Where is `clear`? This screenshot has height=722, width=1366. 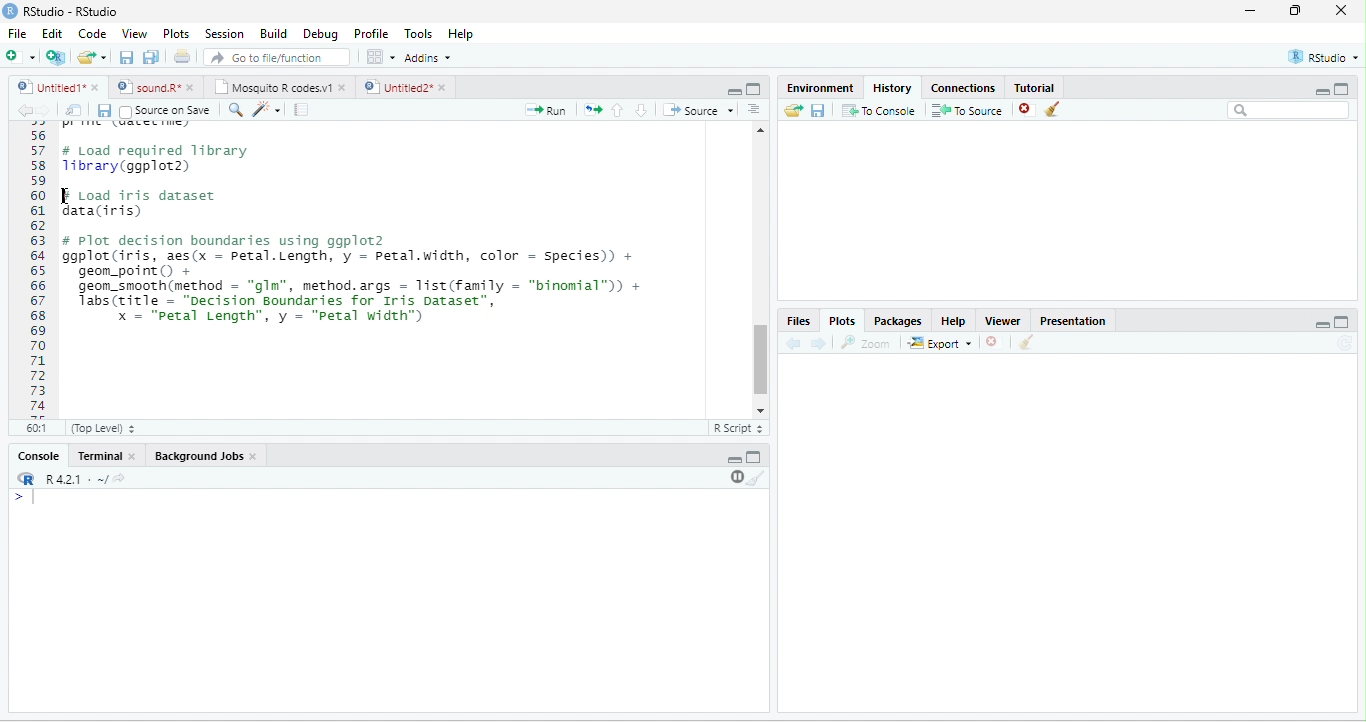 clear is located at coordinates (757, 478).